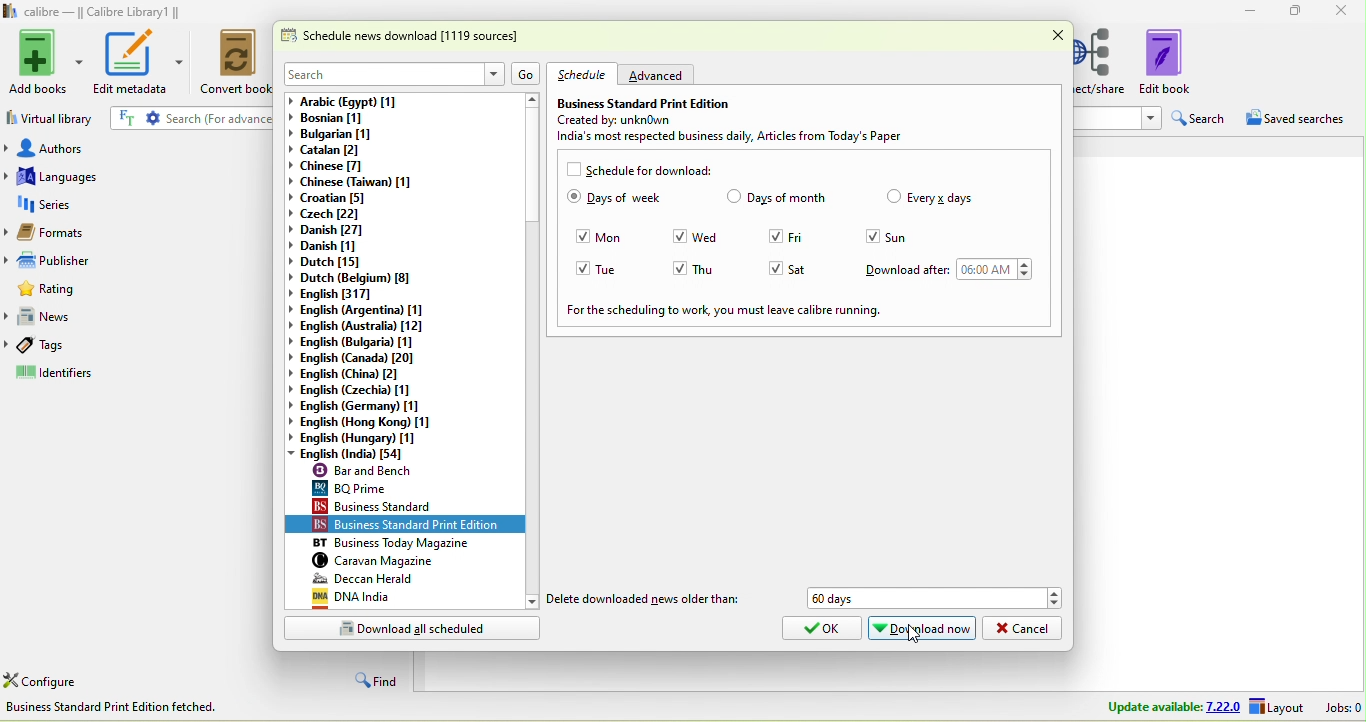  I want to click on edit metadata options, so click(181, 61).